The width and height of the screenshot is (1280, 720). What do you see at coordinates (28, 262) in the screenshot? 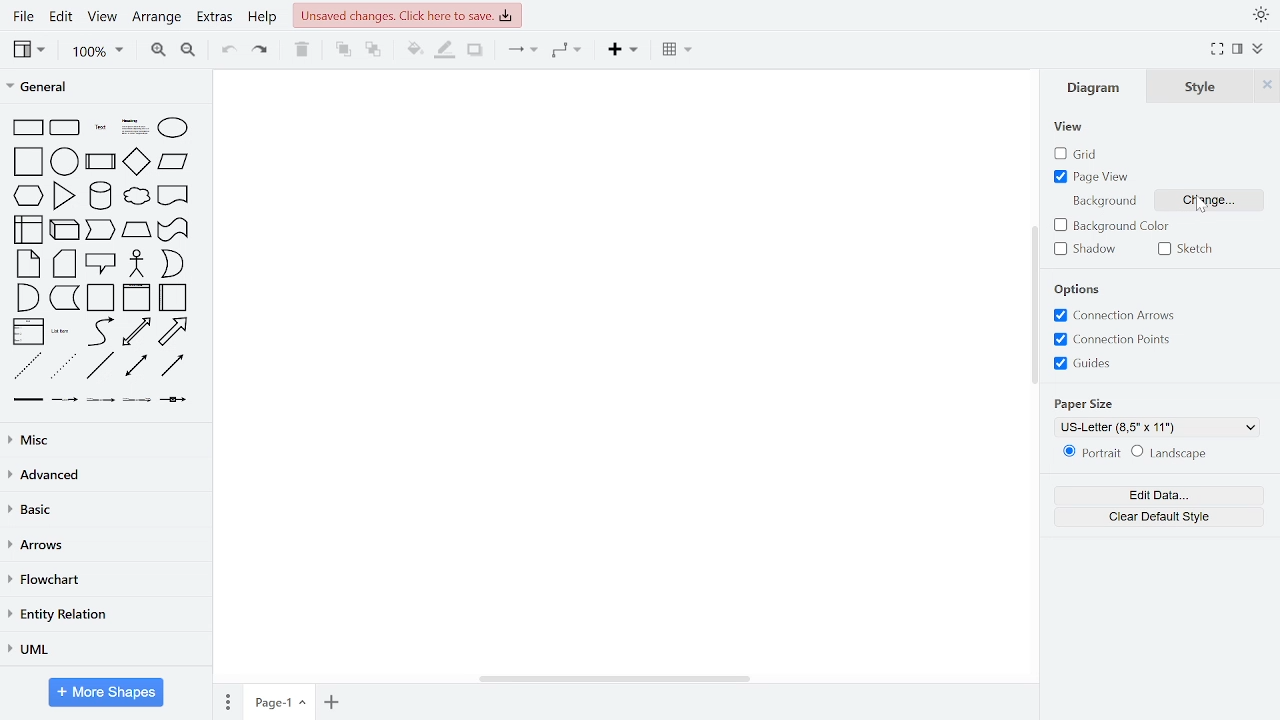
I see `general shapes` at bounding box center [28, 262].